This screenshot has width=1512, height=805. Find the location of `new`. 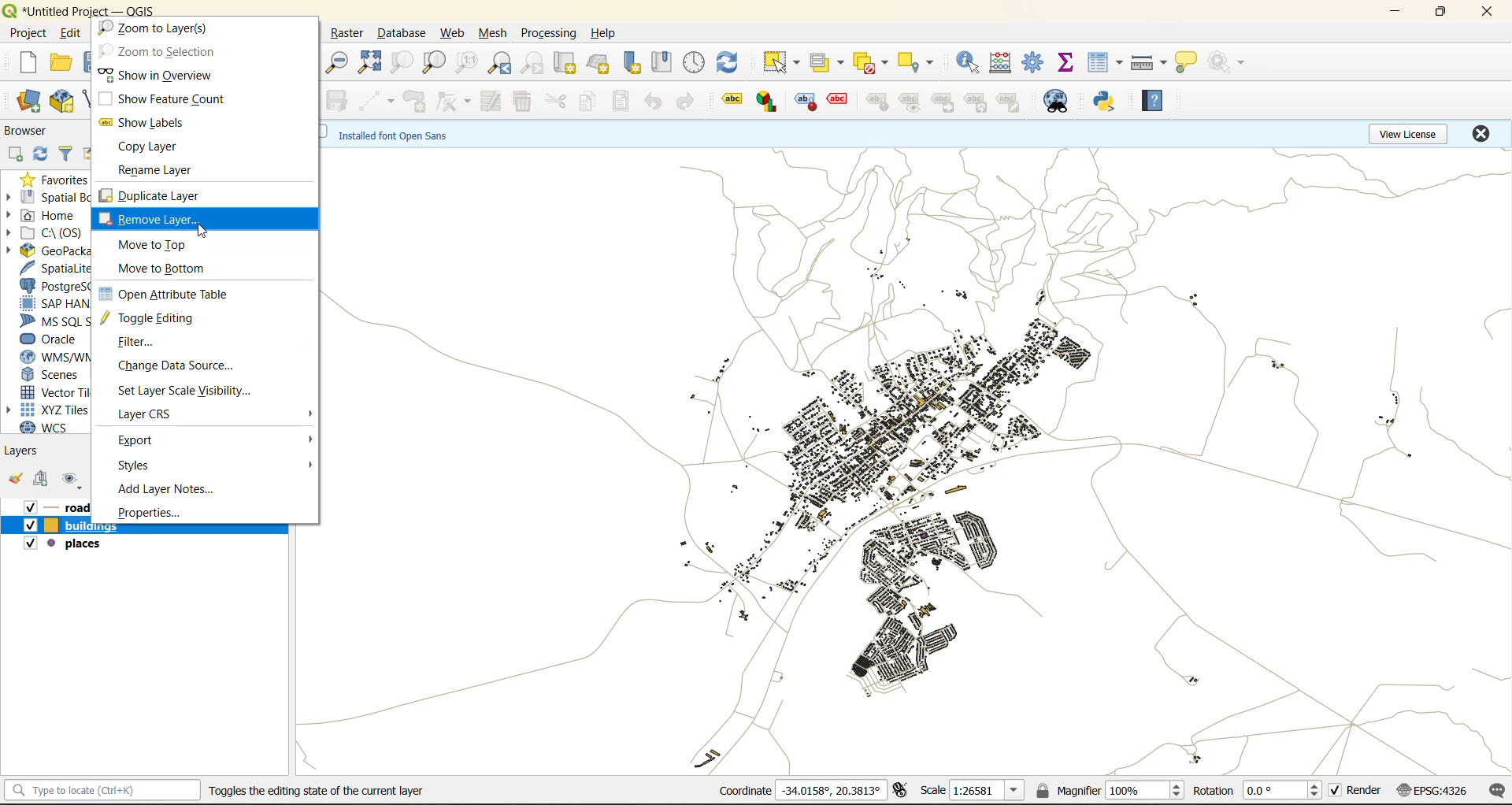

new is located at coordinates (29, 61).